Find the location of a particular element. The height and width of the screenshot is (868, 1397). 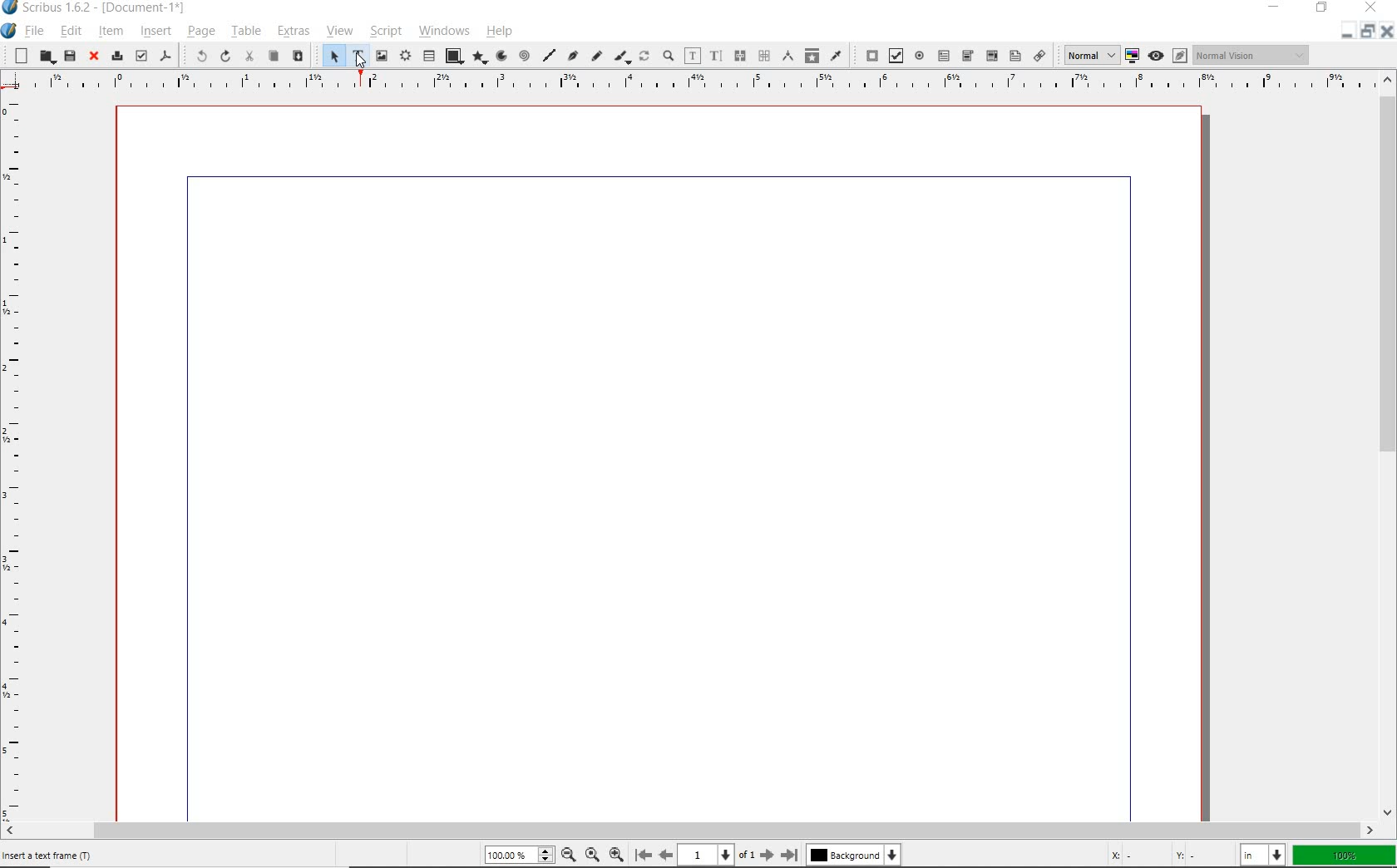

system icon is located at coordinates (7, 31).